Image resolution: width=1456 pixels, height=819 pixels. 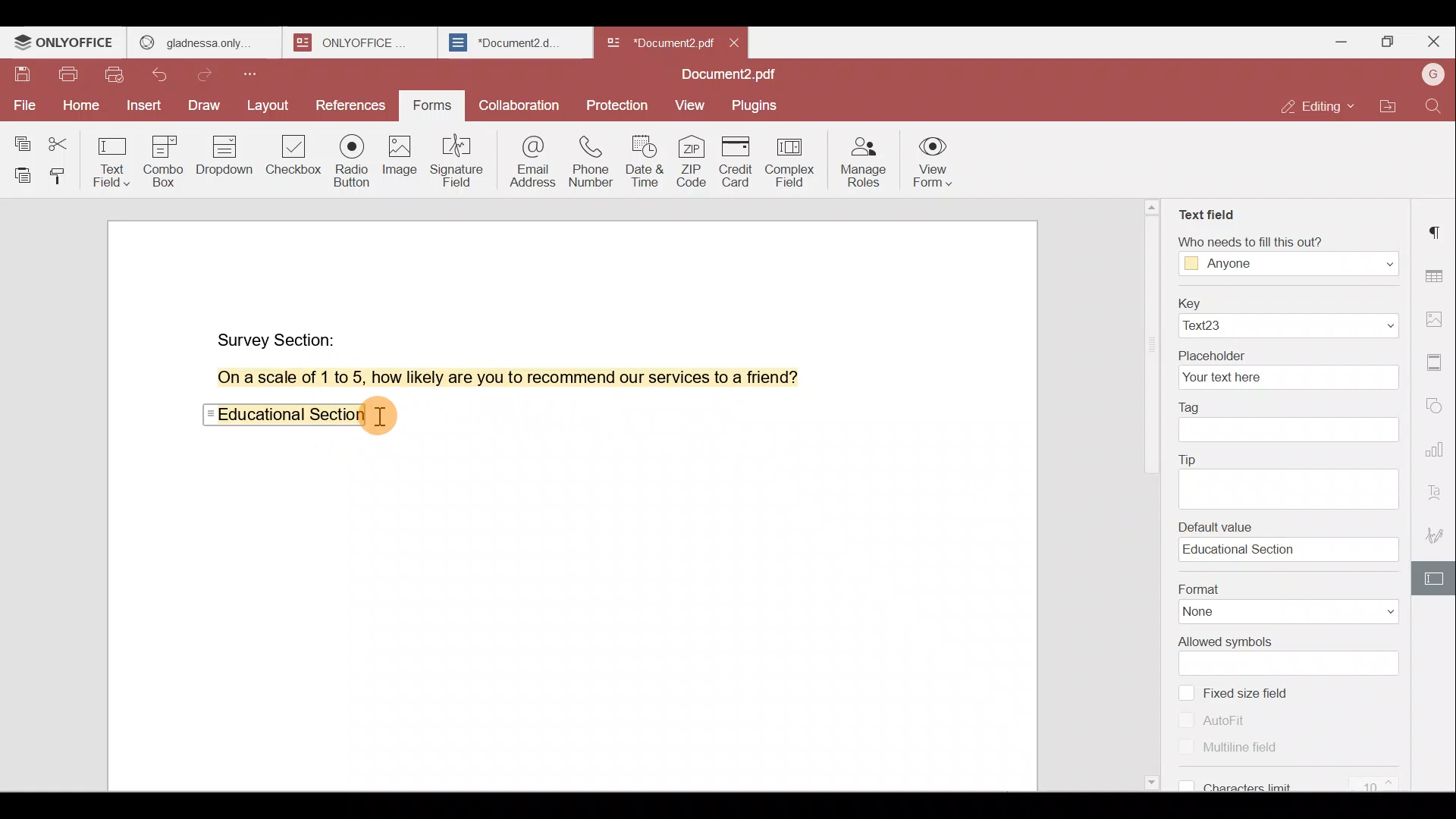 What do you see at coordinates (1389, 108) in the screenshot?
I see `Open file location` at bounding box center [1389, 108].